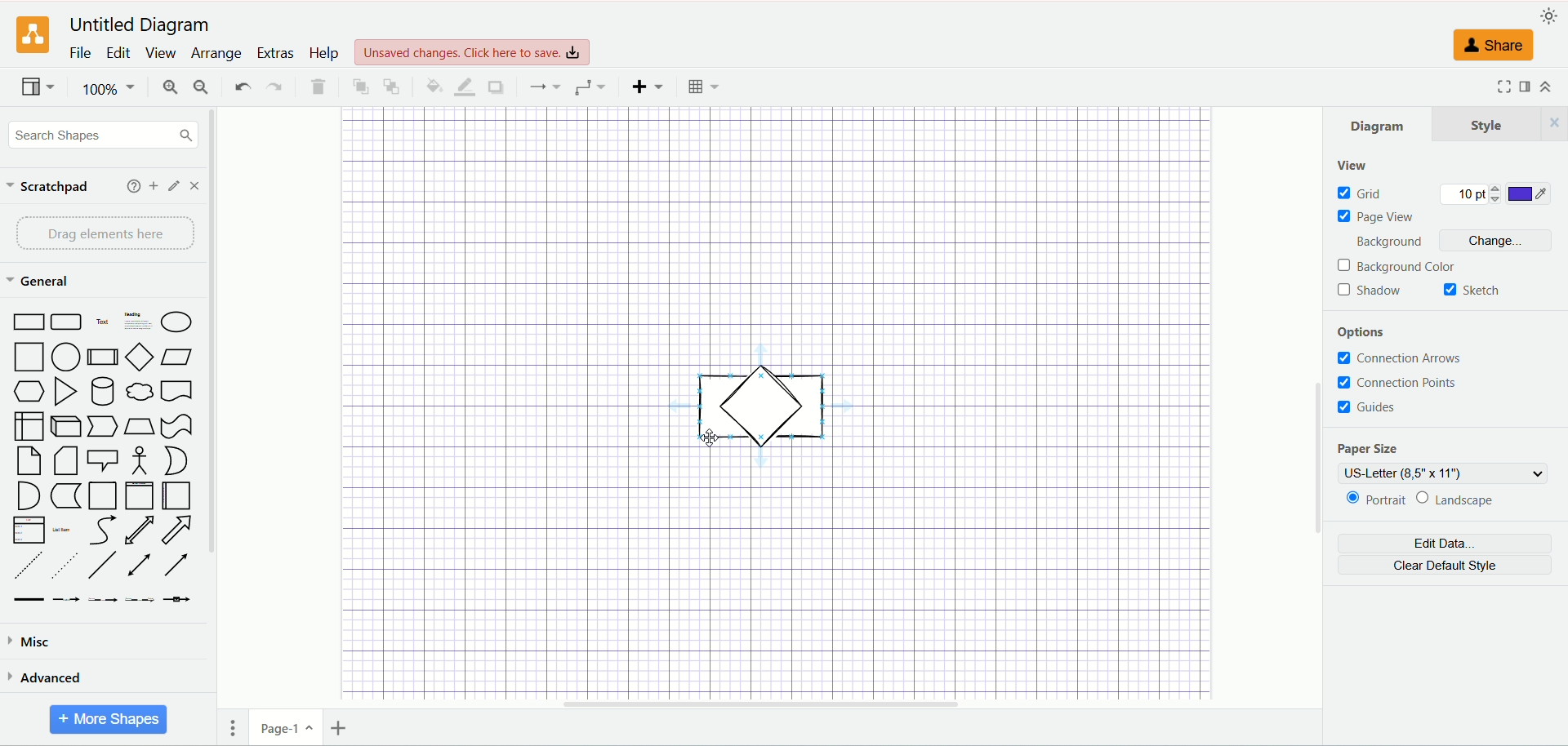  Describe the element at coordinates (1374, 330) in the screenshot. I see `option` at that location.